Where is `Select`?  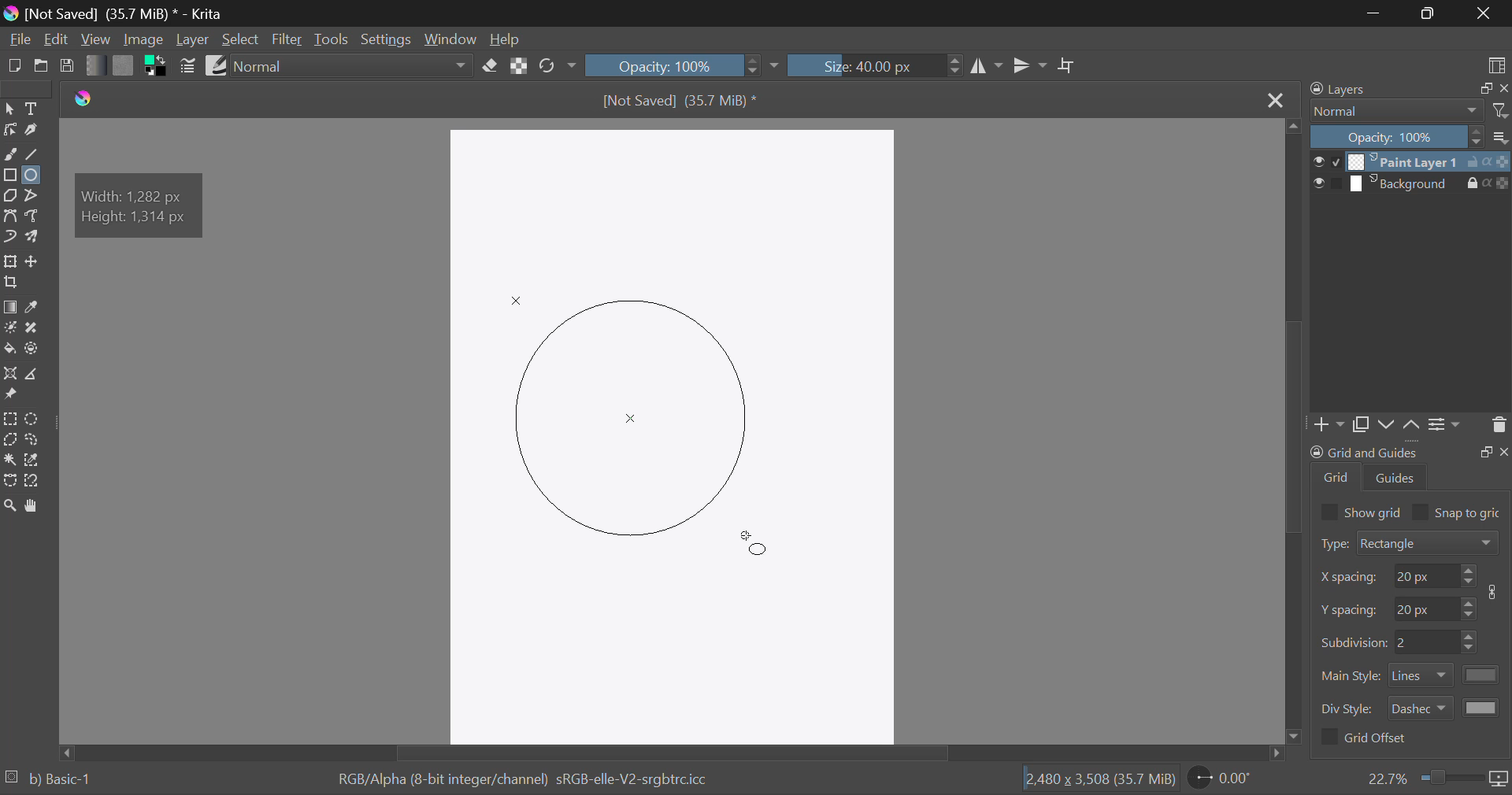 Select is located at coordinates (10, 109).